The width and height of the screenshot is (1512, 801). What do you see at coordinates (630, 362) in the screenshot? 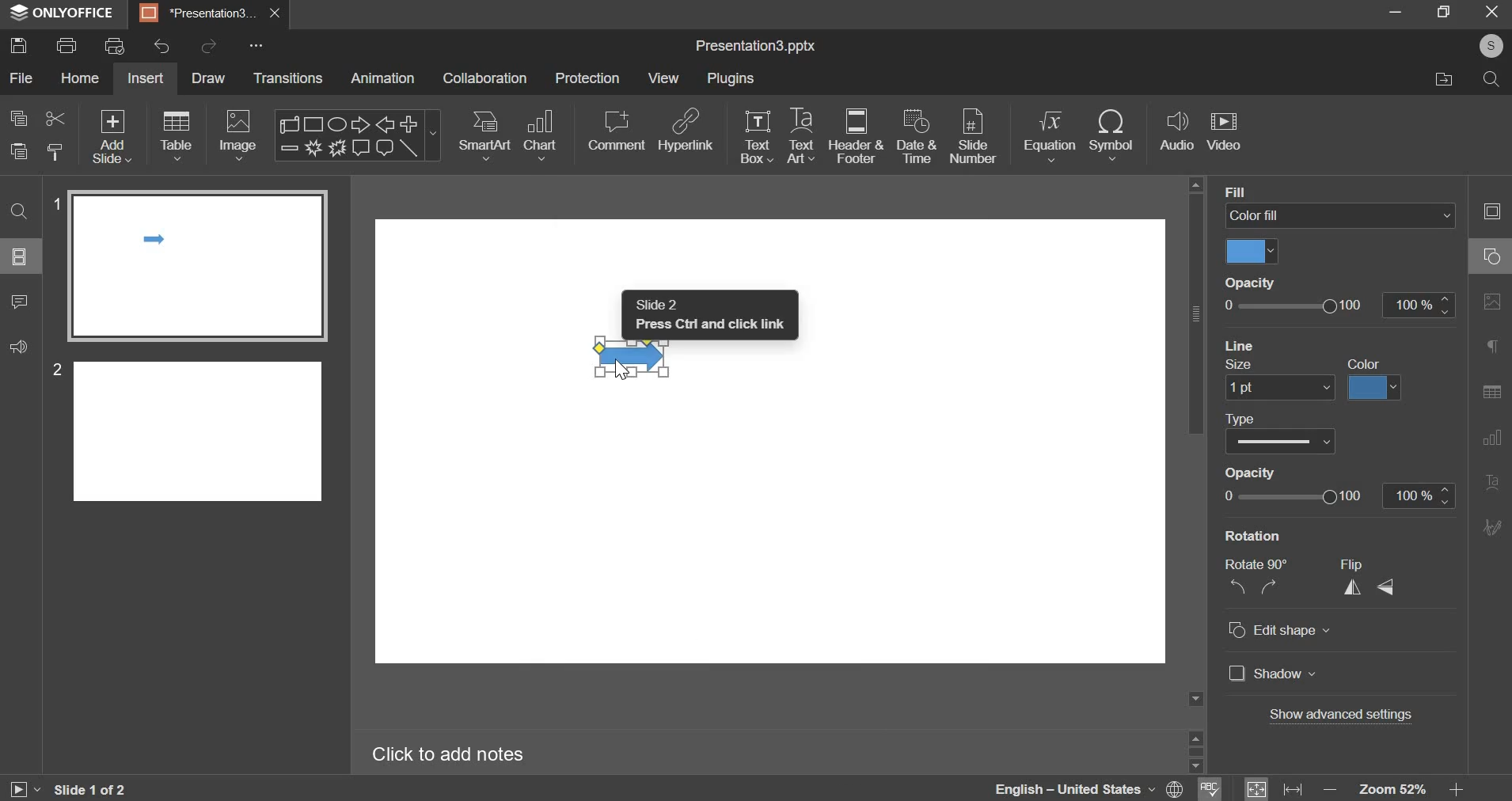
I see `right arrow shape selected` at bounding box center [630, 362].